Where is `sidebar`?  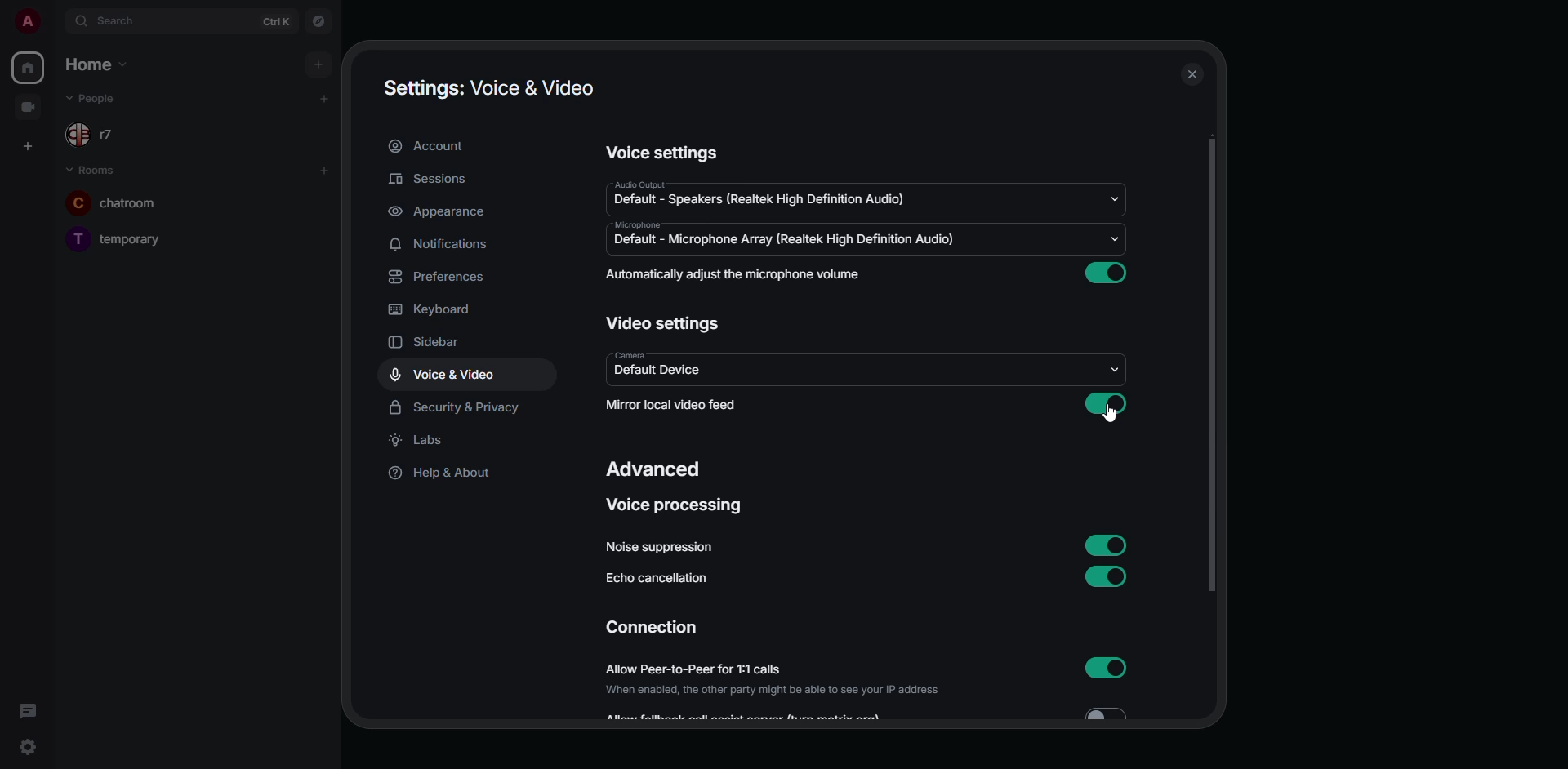
sidebar is located at coordinates (444, 344).